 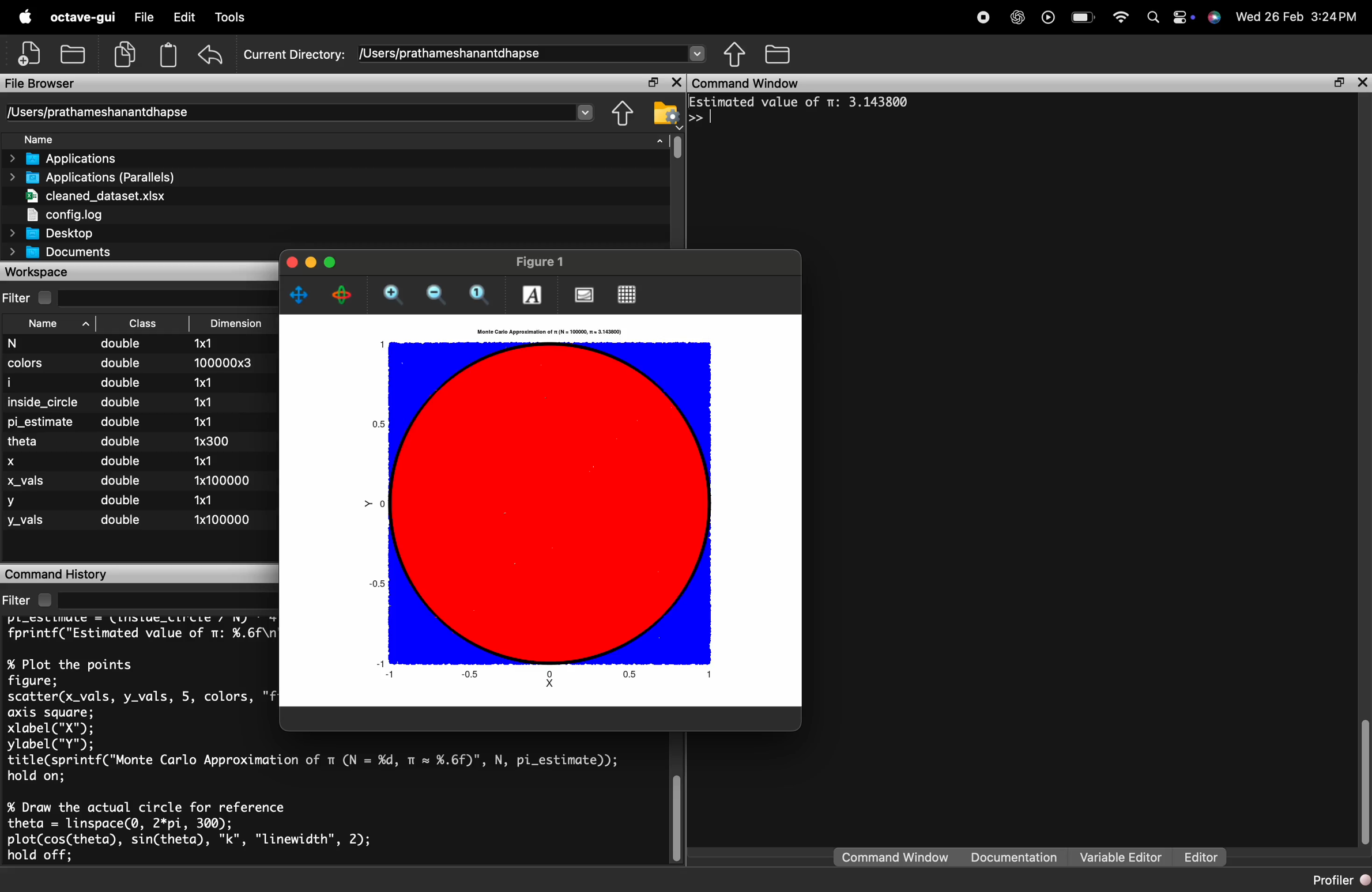 What do you see at coordinates (1182, 18) in the screenshot?
I see `control center` at bounding box center [1182, 18].